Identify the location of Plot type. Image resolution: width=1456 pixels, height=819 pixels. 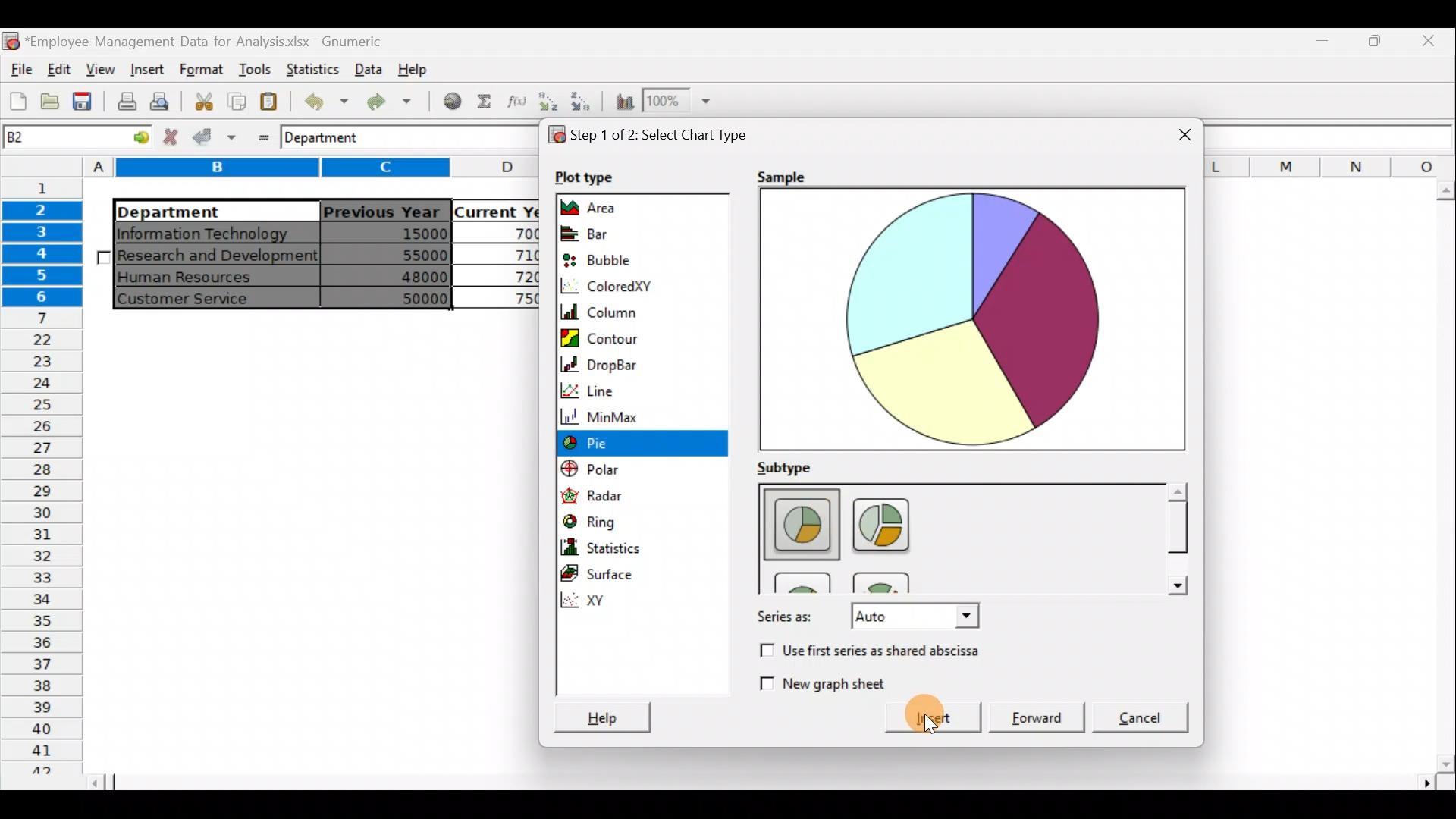
(588, 177).